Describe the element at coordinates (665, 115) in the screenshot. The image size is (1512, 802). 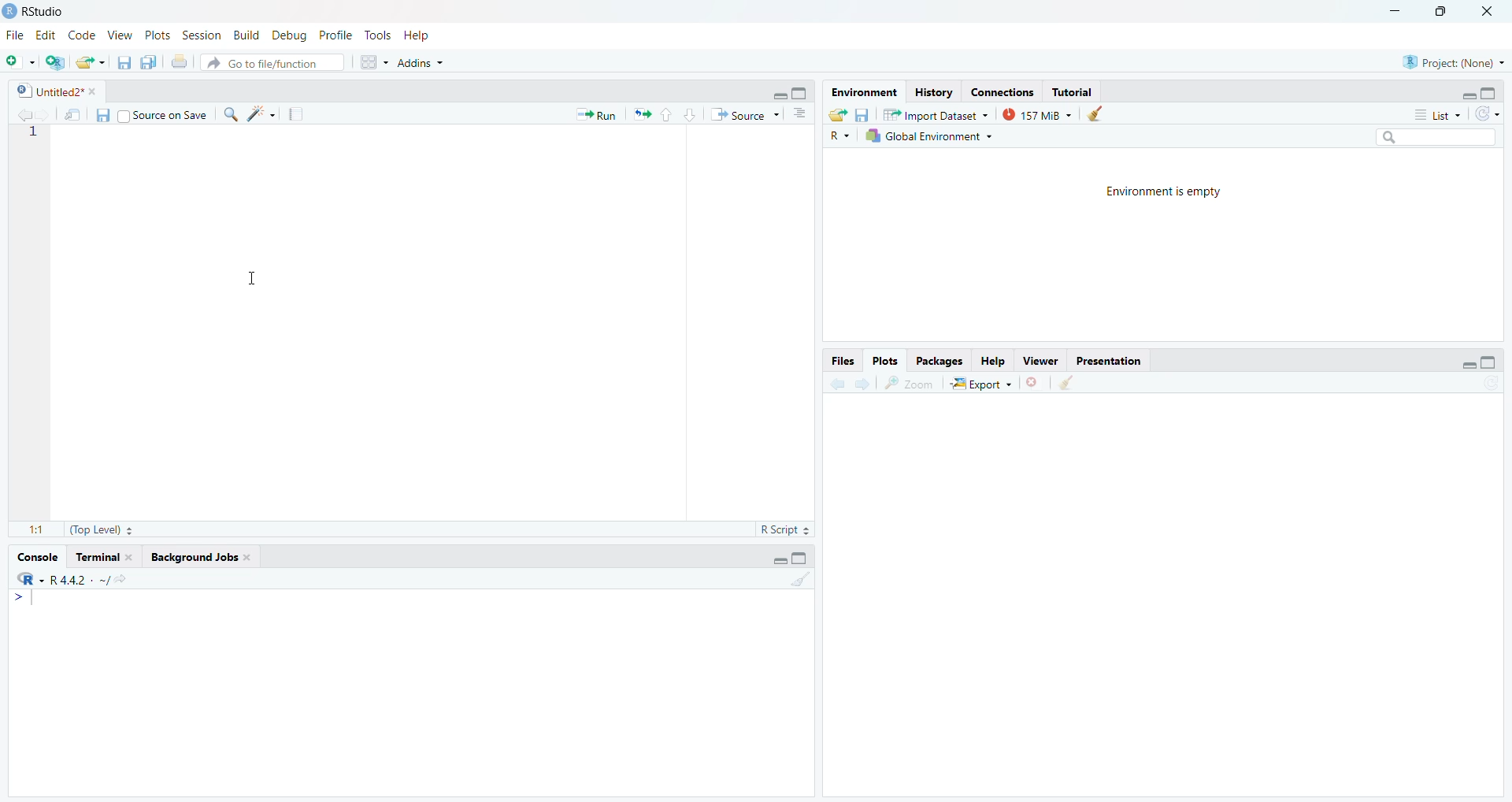
I see `go to previous section/chunk` at that location.